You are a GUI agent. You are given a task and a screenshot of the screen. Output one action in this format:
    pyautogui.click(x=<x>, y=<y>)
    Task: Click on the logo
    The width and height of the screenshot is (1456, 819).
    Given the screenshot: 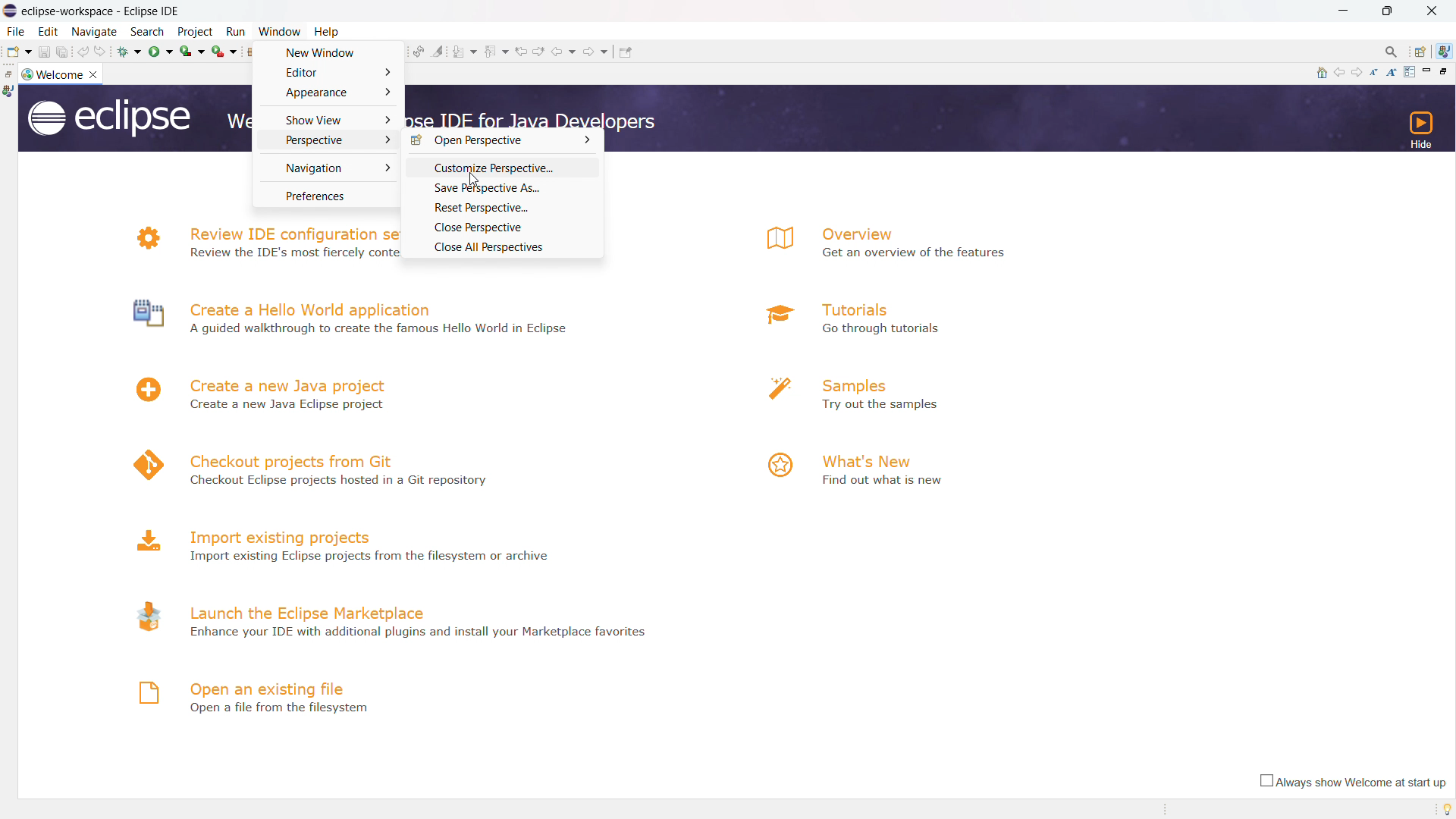 What is the action you would take?
    pyautogui.click(x=140, y=390)
    